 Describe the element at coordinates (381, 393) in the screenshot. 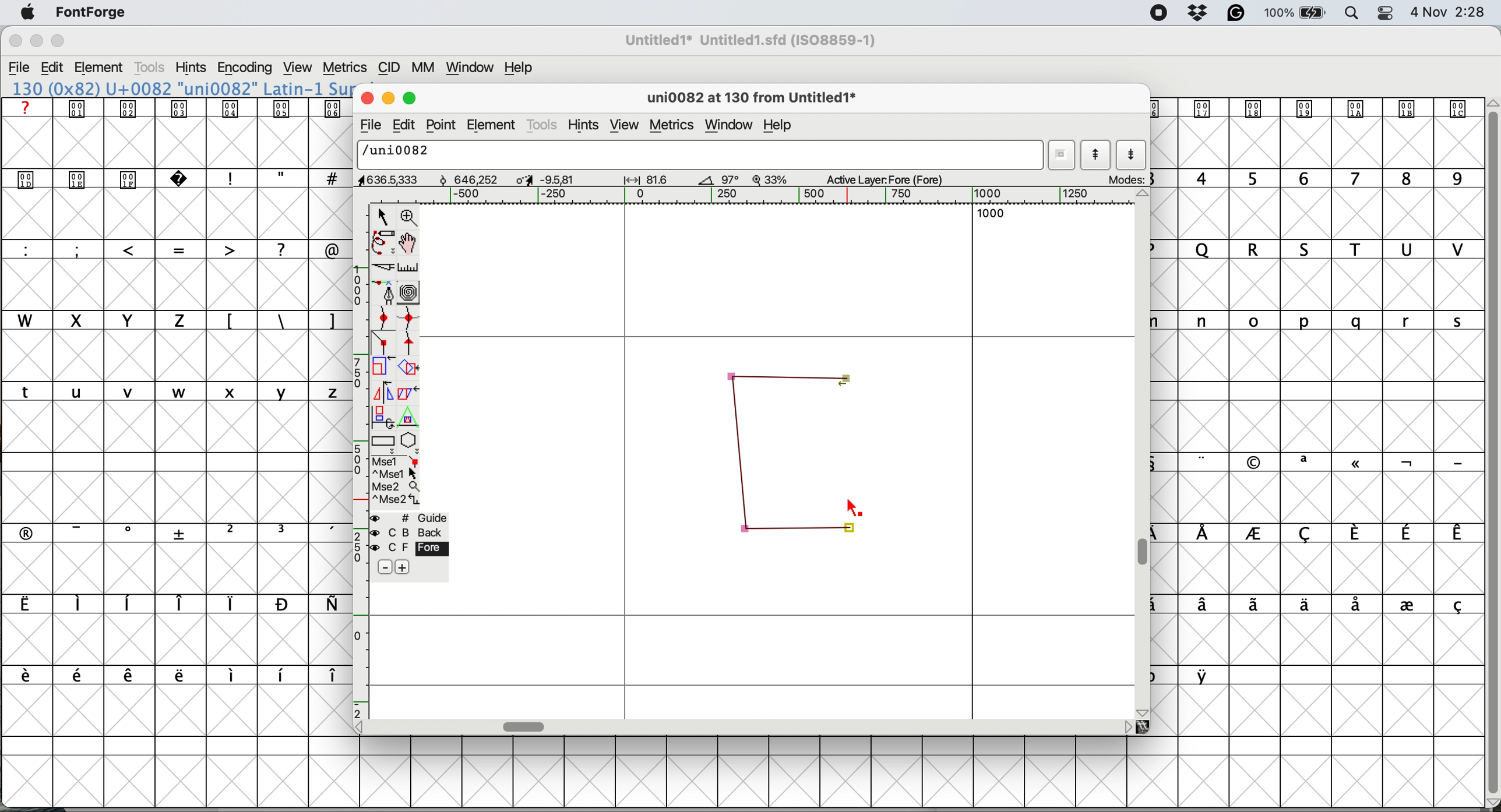

I see `flip the selection` at that location.